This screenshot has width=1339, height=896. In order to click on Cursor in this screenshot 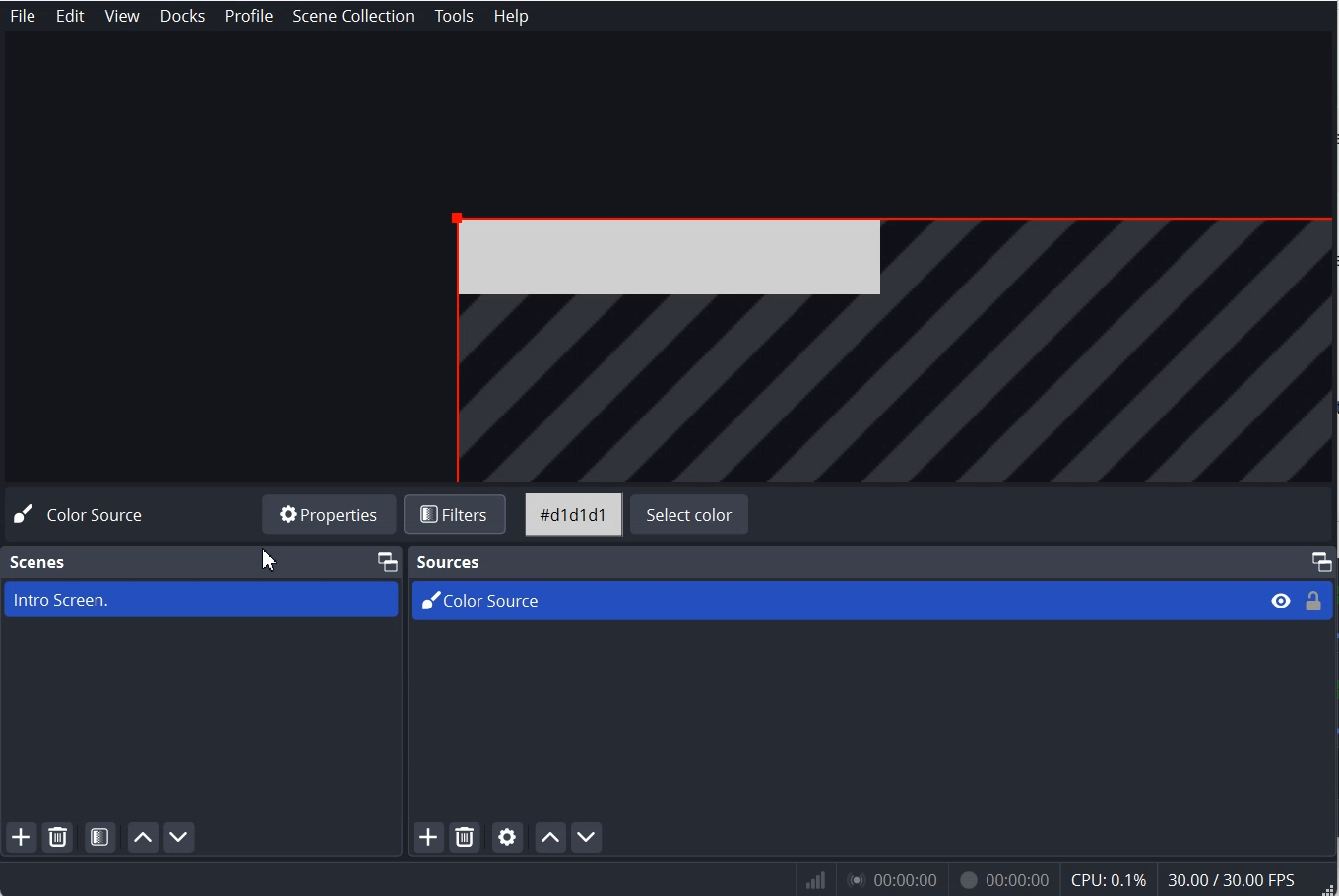, I will do `click(272, 560)`.